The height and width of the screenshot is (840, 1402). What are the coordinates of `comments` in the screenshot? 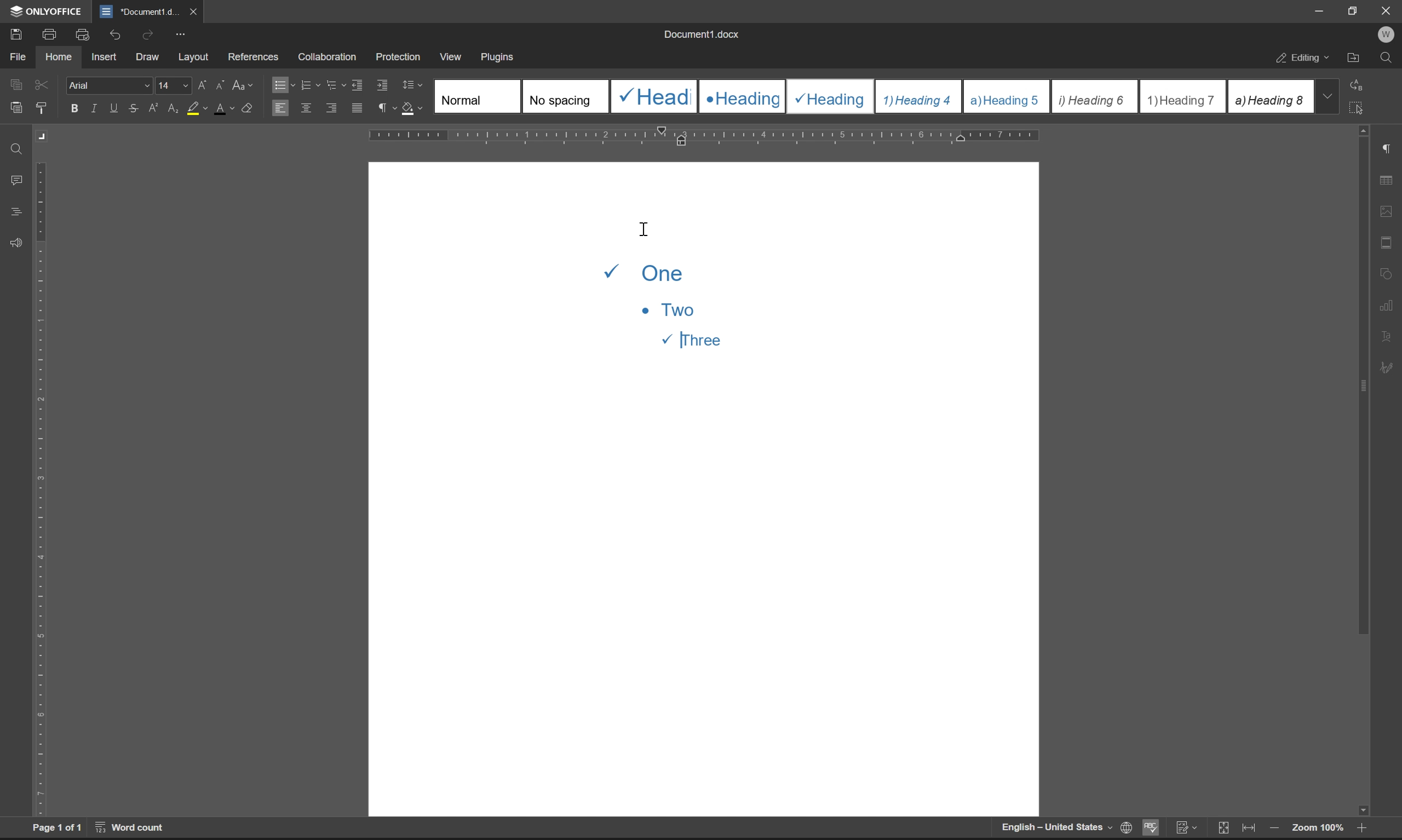 It's located at (19, 181).